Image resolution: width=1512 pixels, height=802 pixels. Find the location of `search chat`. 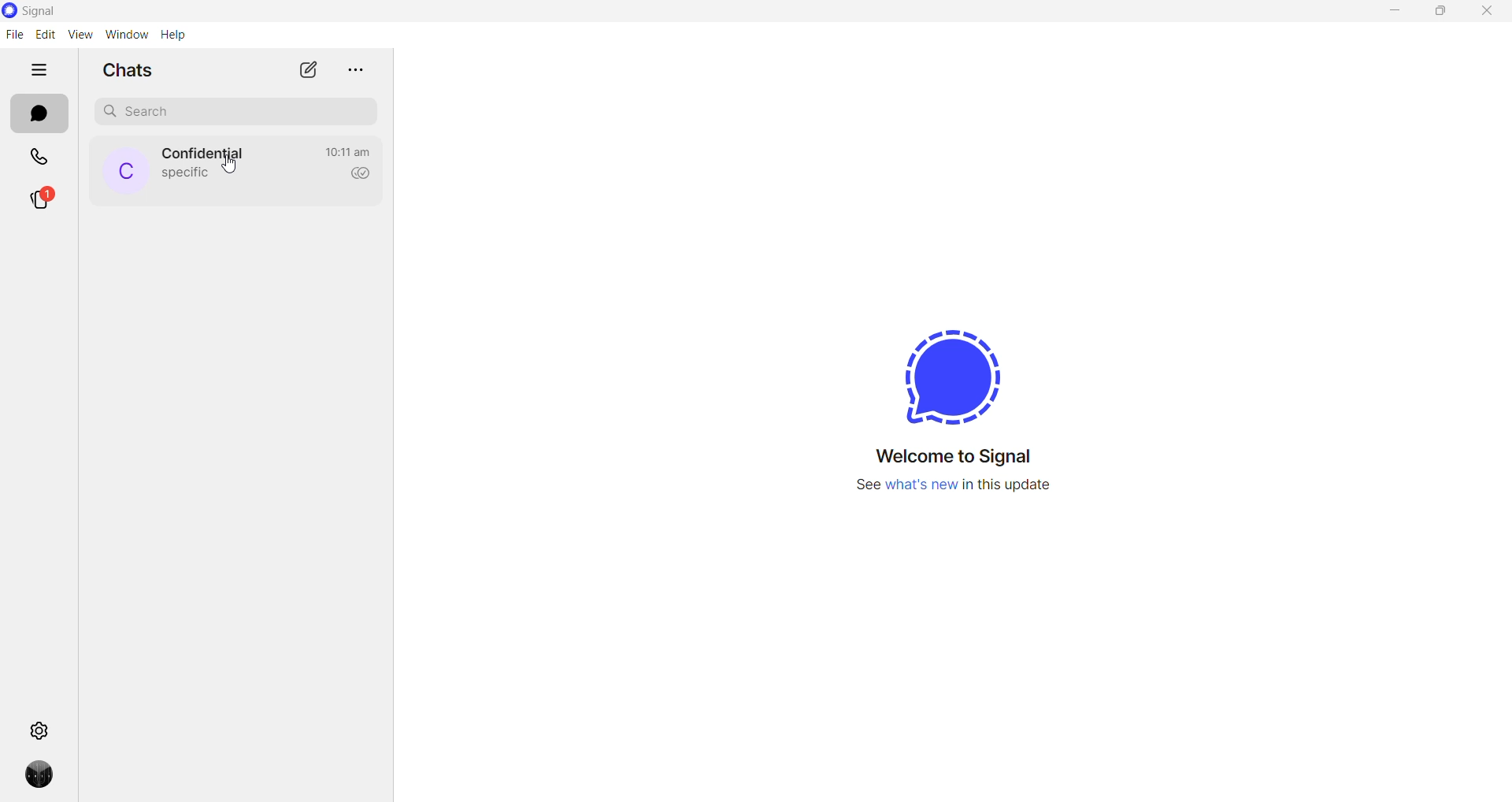

search chat is located at coordinates (238, 112).